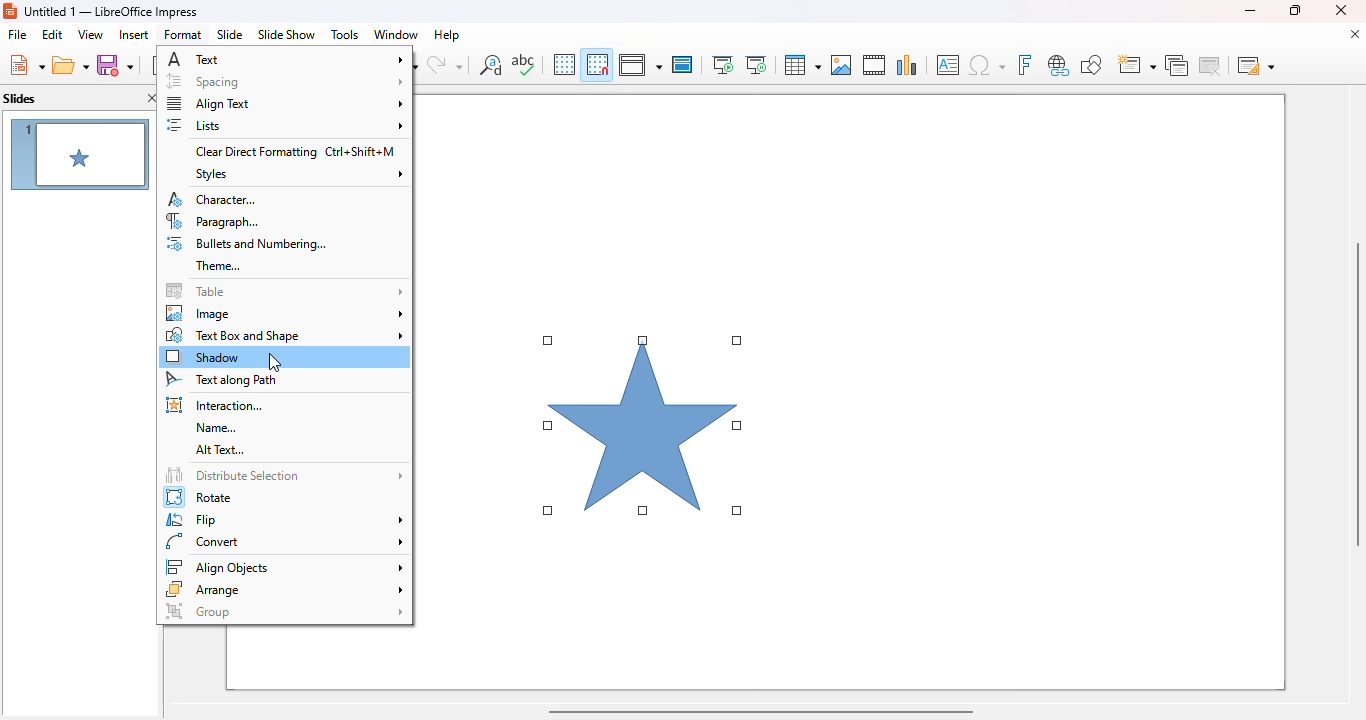 The image size is (1366, 720). What do you see at coordinates (284, 520) in the screenshot?
I see `flip` at bounding box center [284, 520].